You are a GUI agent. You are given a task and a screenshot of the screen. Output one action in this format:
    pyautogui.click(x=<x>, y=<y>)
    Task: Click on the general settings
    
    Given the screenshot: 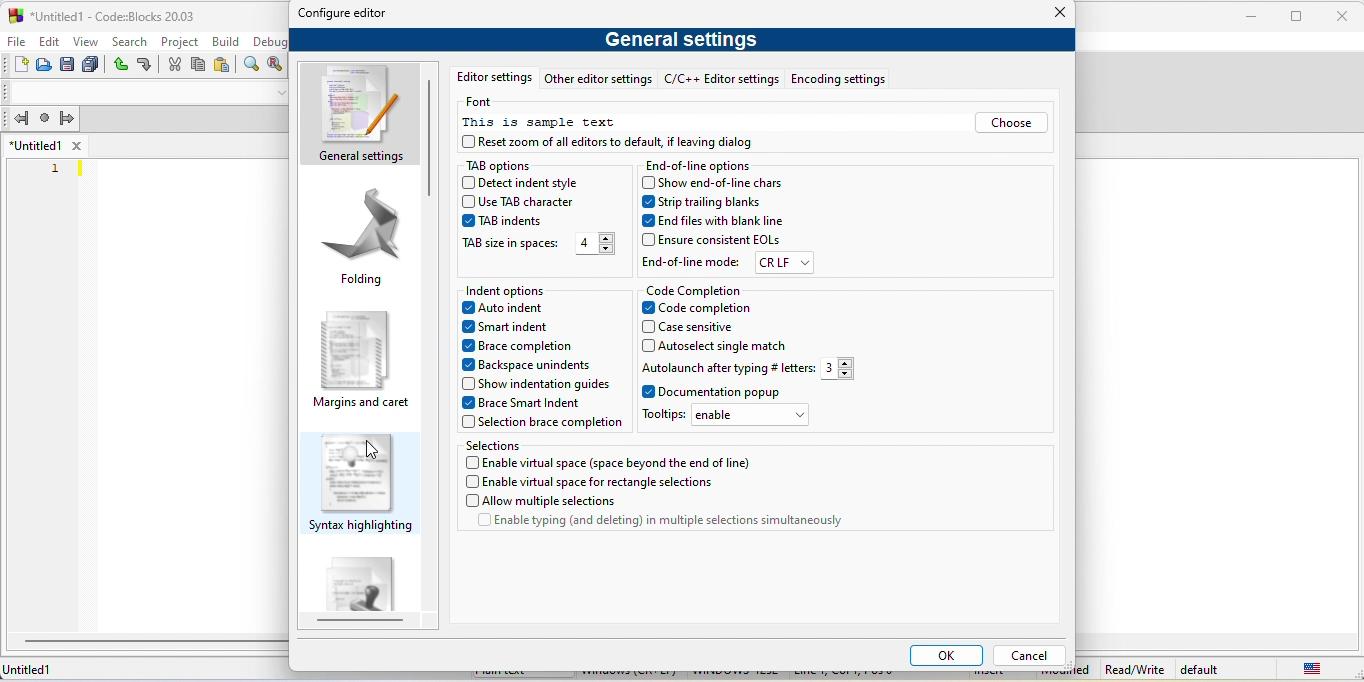 What is the action you would take?
    pyautogui.click(x=682, y=38)
    